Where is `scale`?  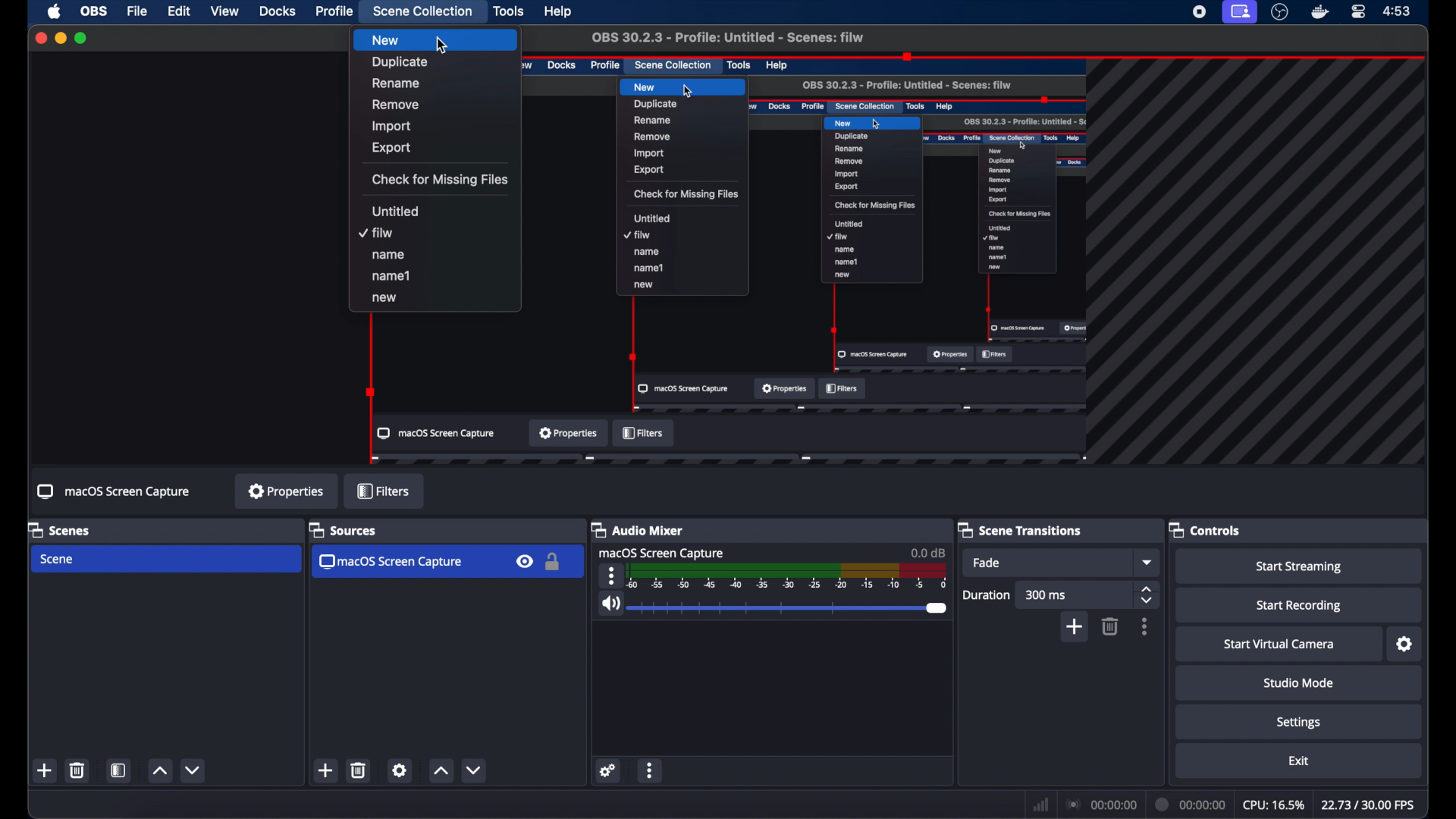
scale is located at coordinates (789, 576).